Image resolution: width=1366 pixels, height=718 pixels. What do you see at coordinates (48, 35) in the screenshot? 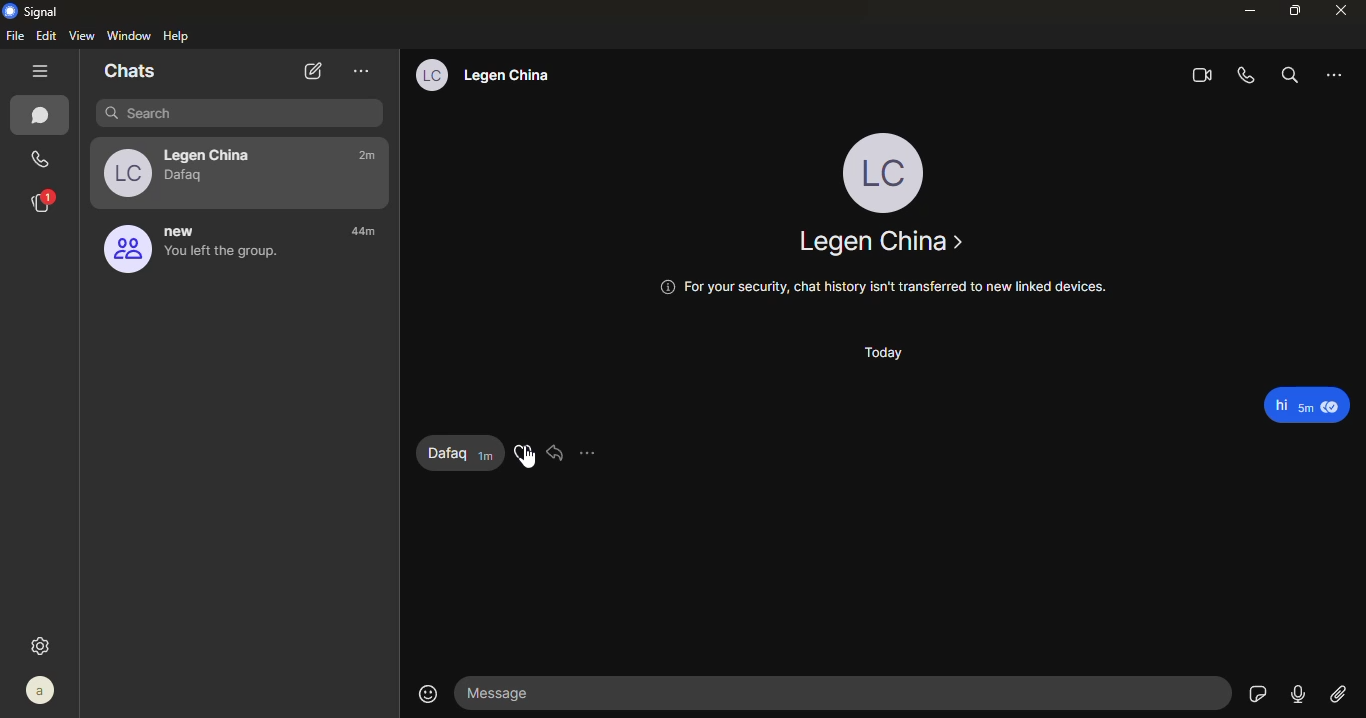
I see `edit` at bounding box center [48, 35].